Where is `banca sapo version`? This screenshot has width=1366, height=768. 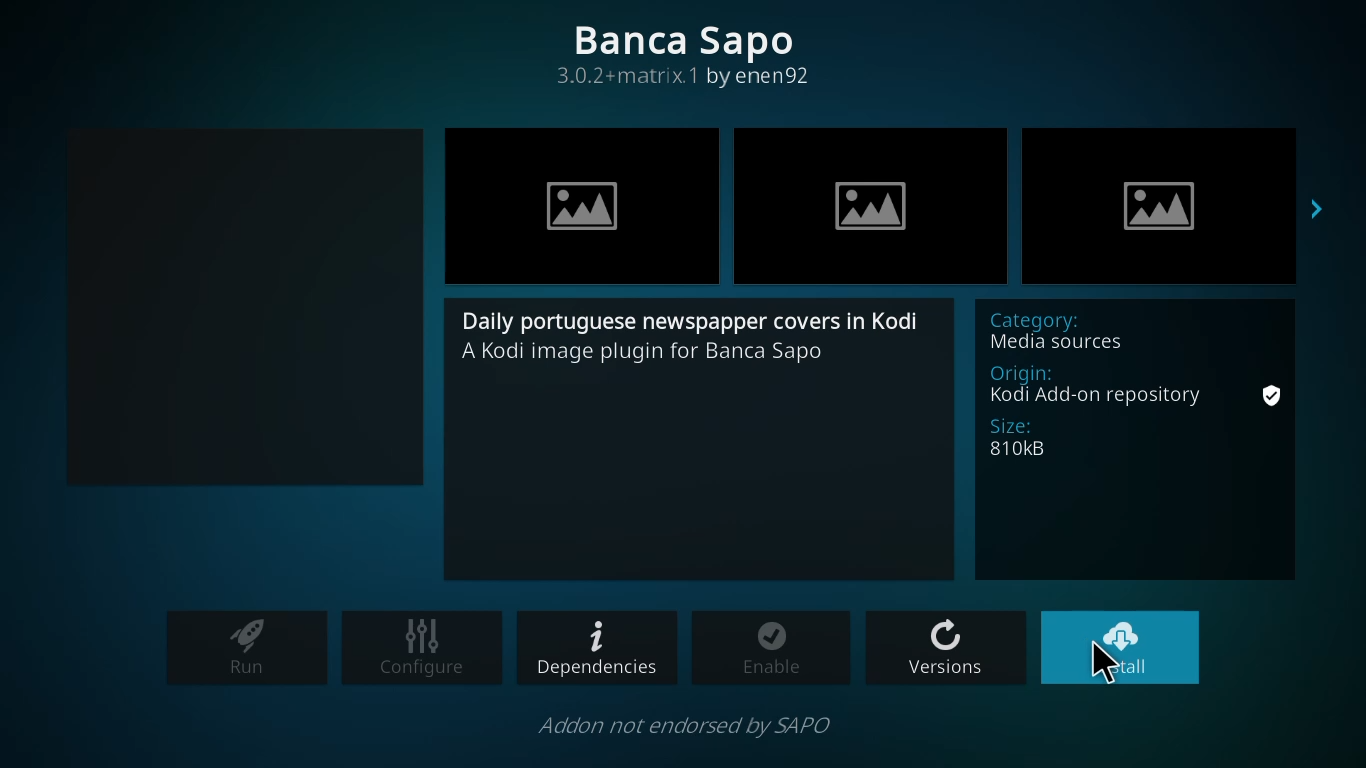
banca sapo version is located at coordinates (690, 53).